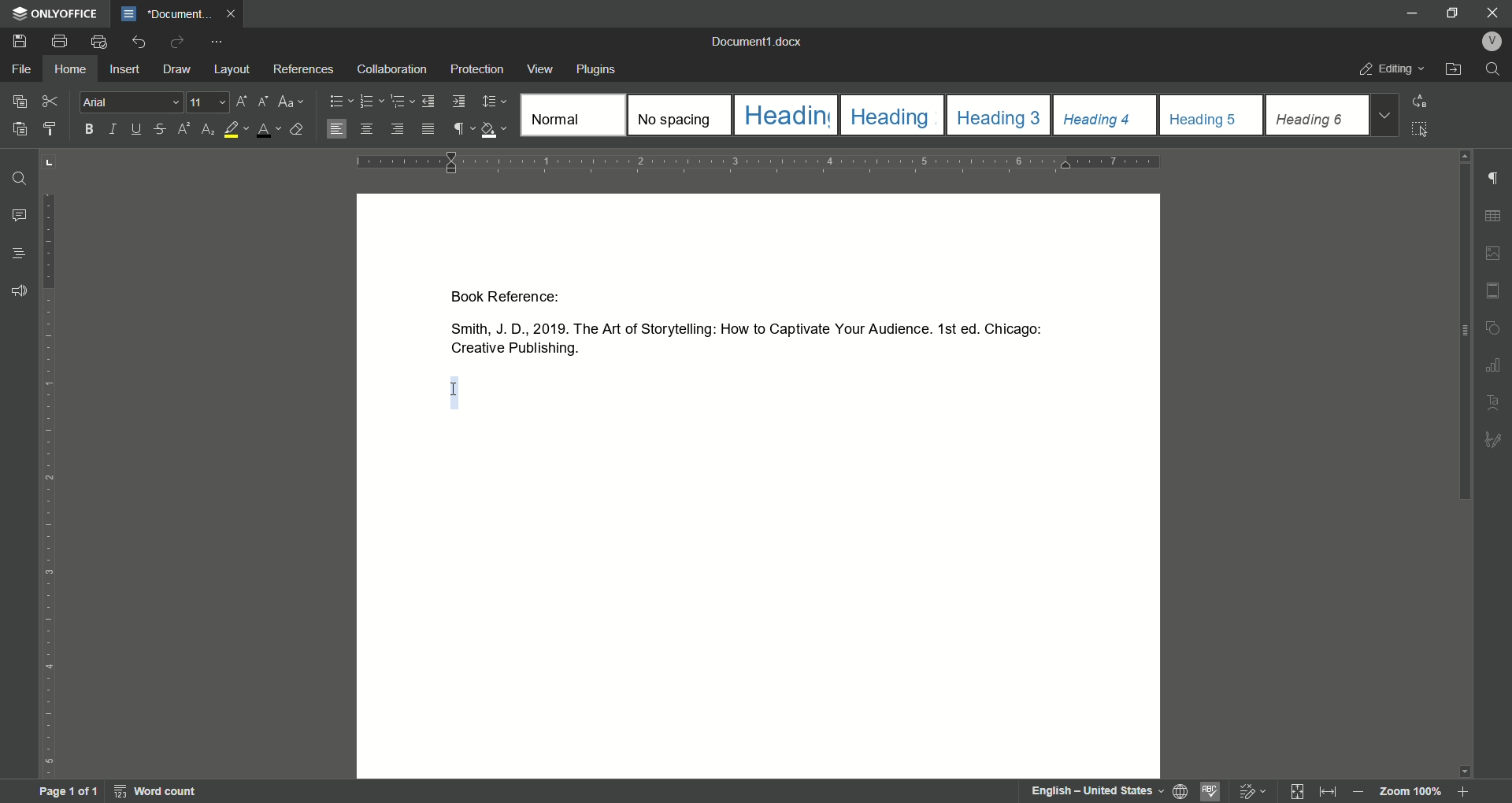 This screenshot has width=1512, height=803. Describe the element at coordinates (541, 69) in the screenshot. I see `view` at that location.